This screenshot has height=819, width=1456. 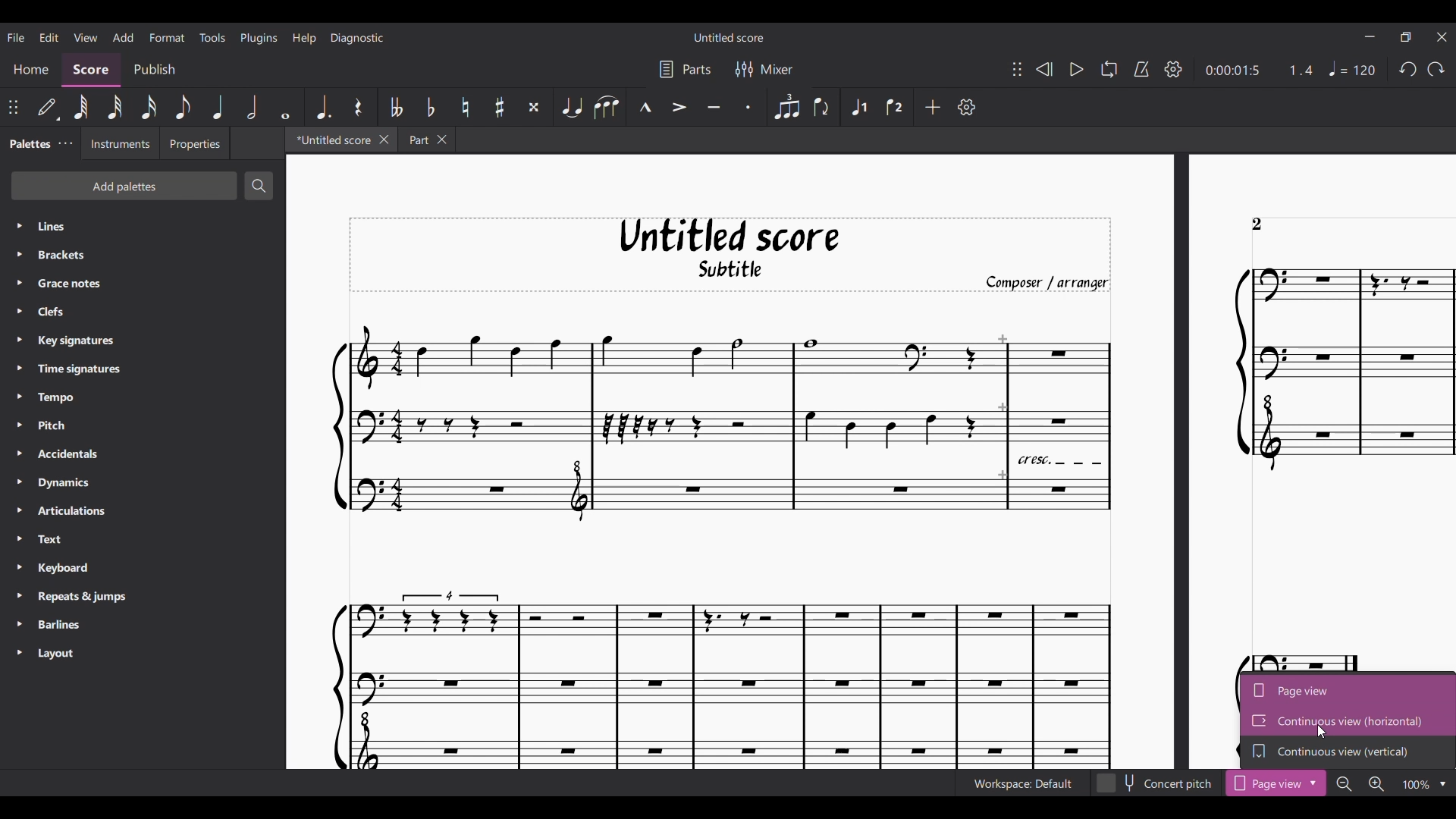 I want to click on 32nd note, so click(x=115, y=106).